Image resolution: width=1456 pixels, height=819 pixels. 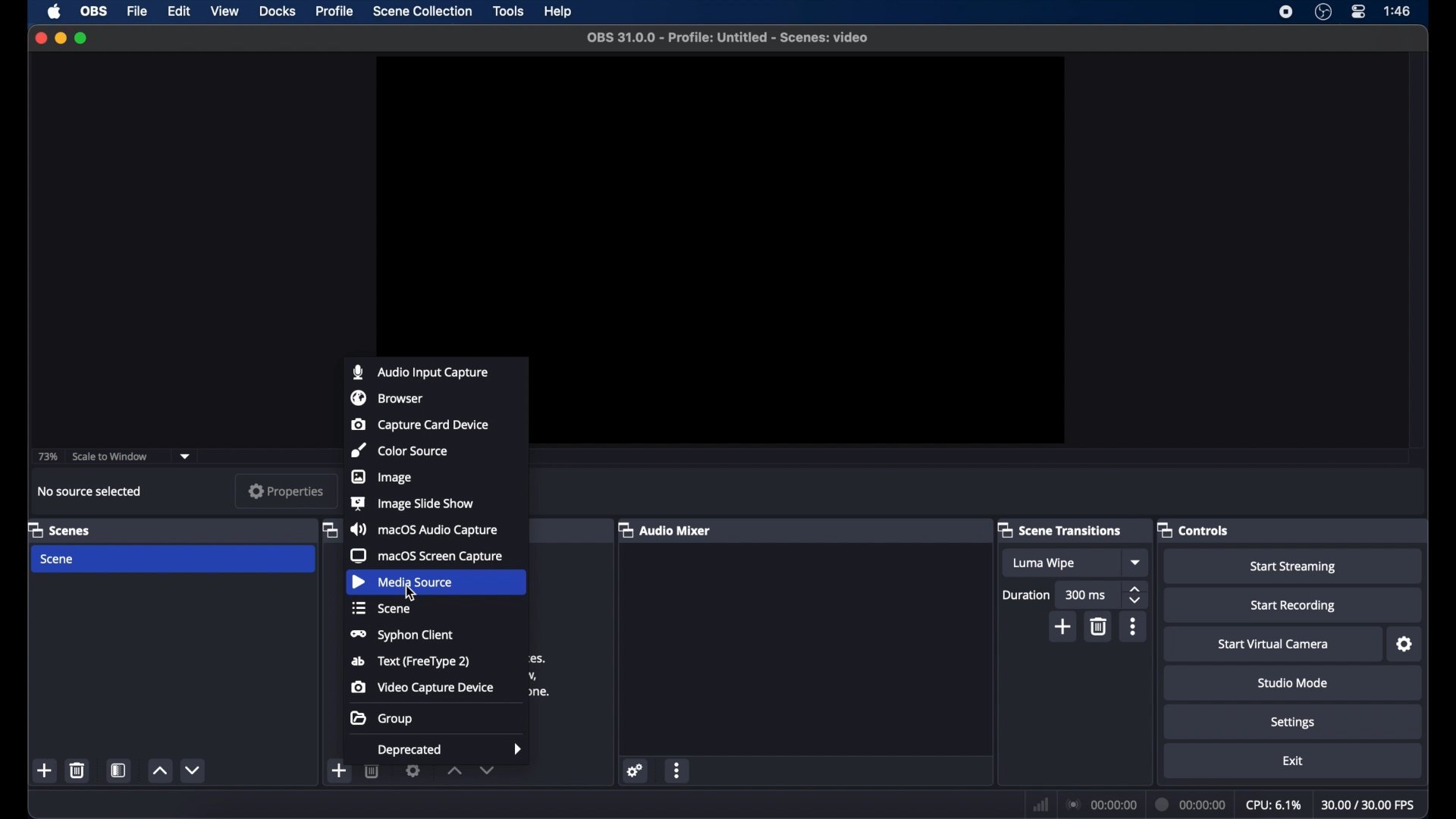 I want to click on exit, so click(x=1294, y=761).